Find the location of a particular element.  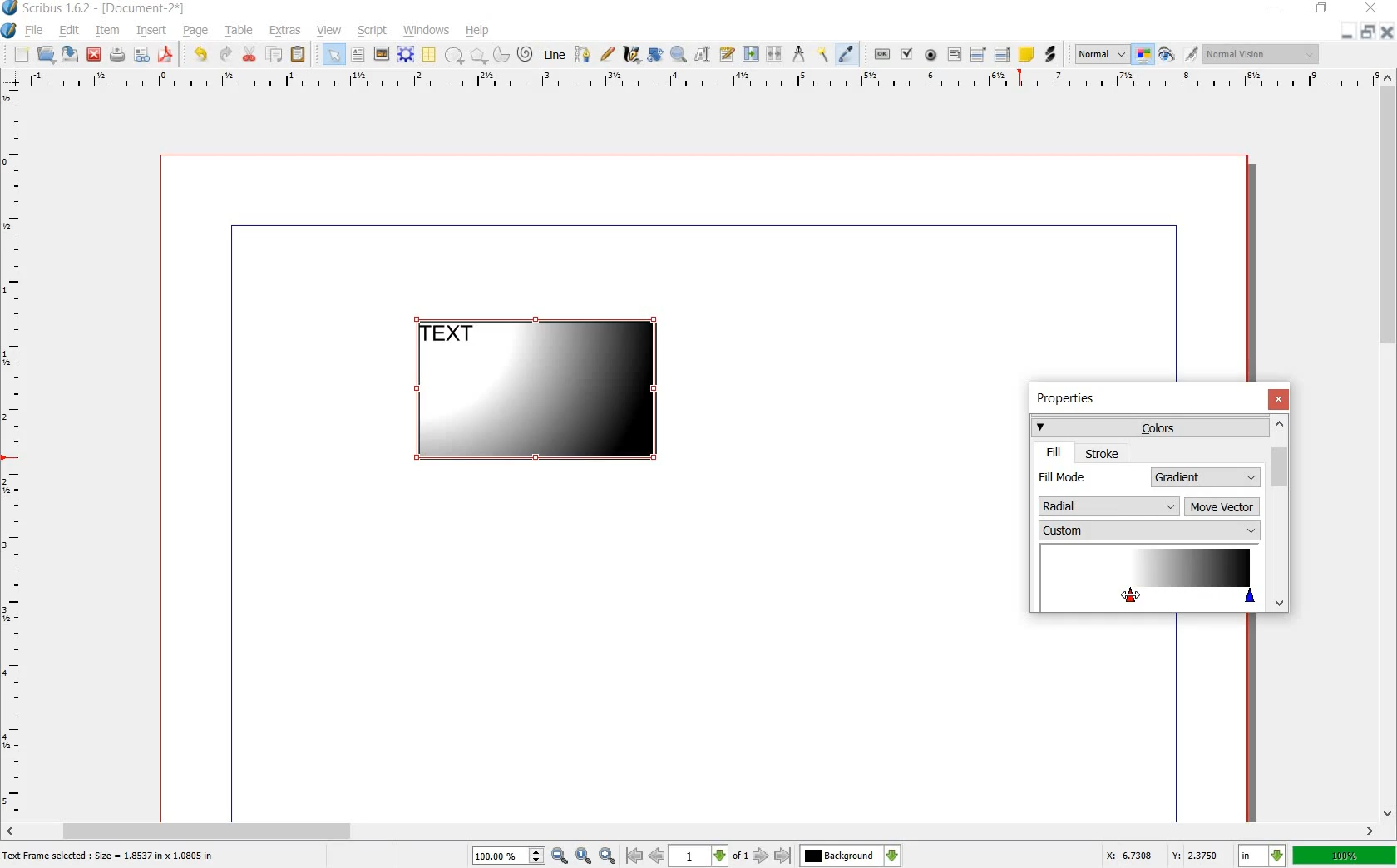

windows is located at coordinates (426, 31).